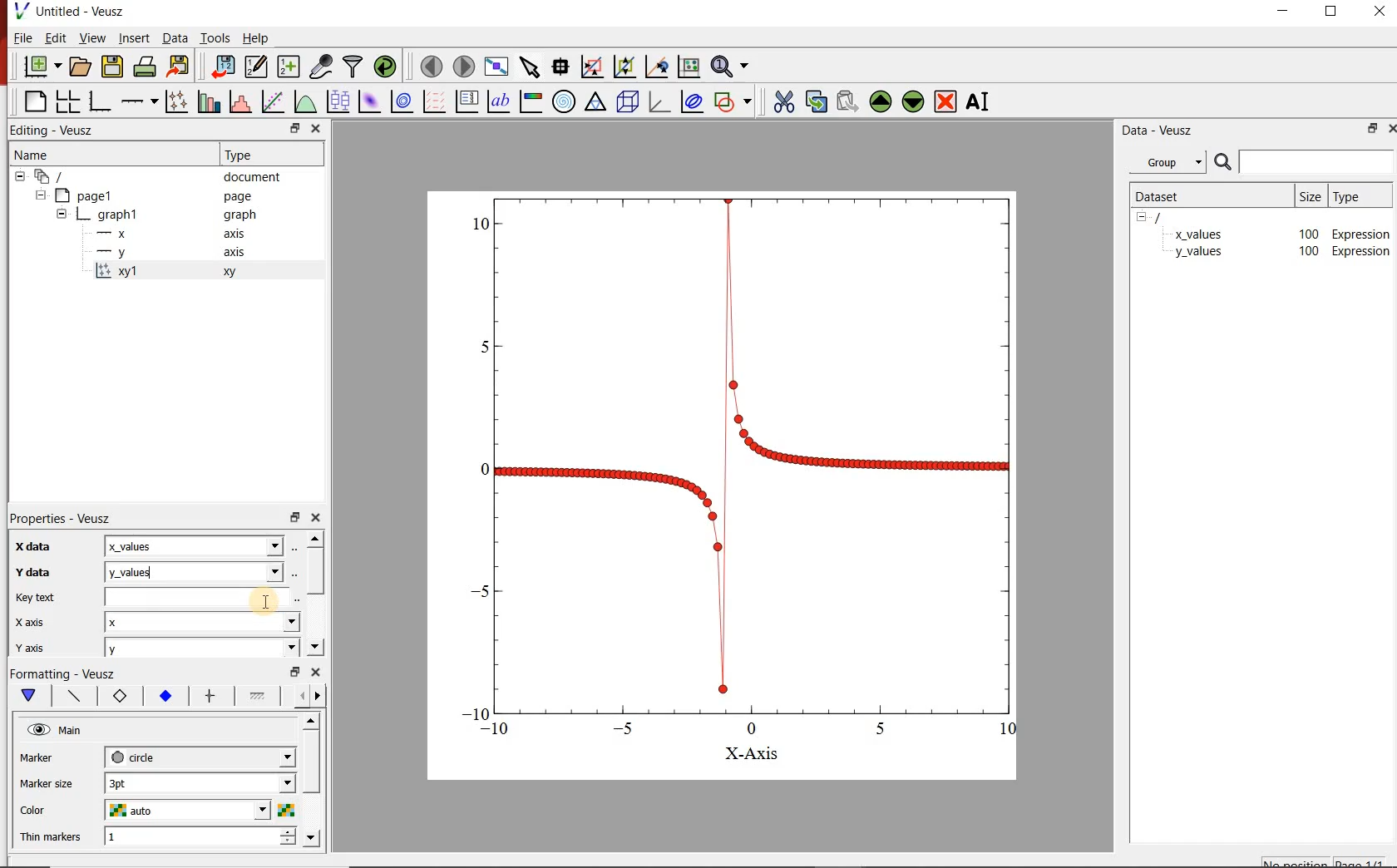 This screenshot has width=1397, height=868. I want to click on marker fill, so click(165, 695).